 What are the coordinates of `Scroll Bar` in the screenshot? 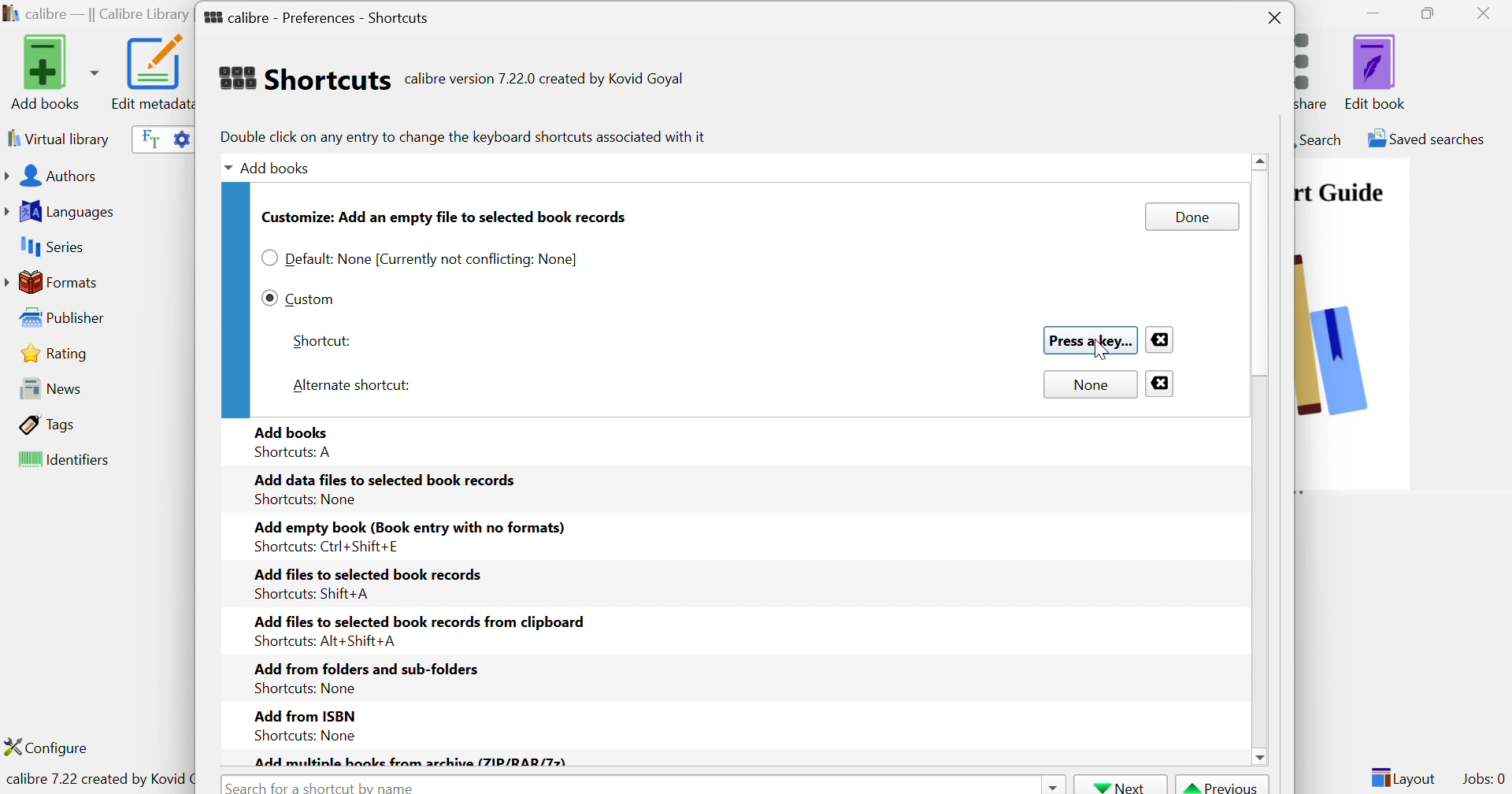 It's located at (1261, 297).